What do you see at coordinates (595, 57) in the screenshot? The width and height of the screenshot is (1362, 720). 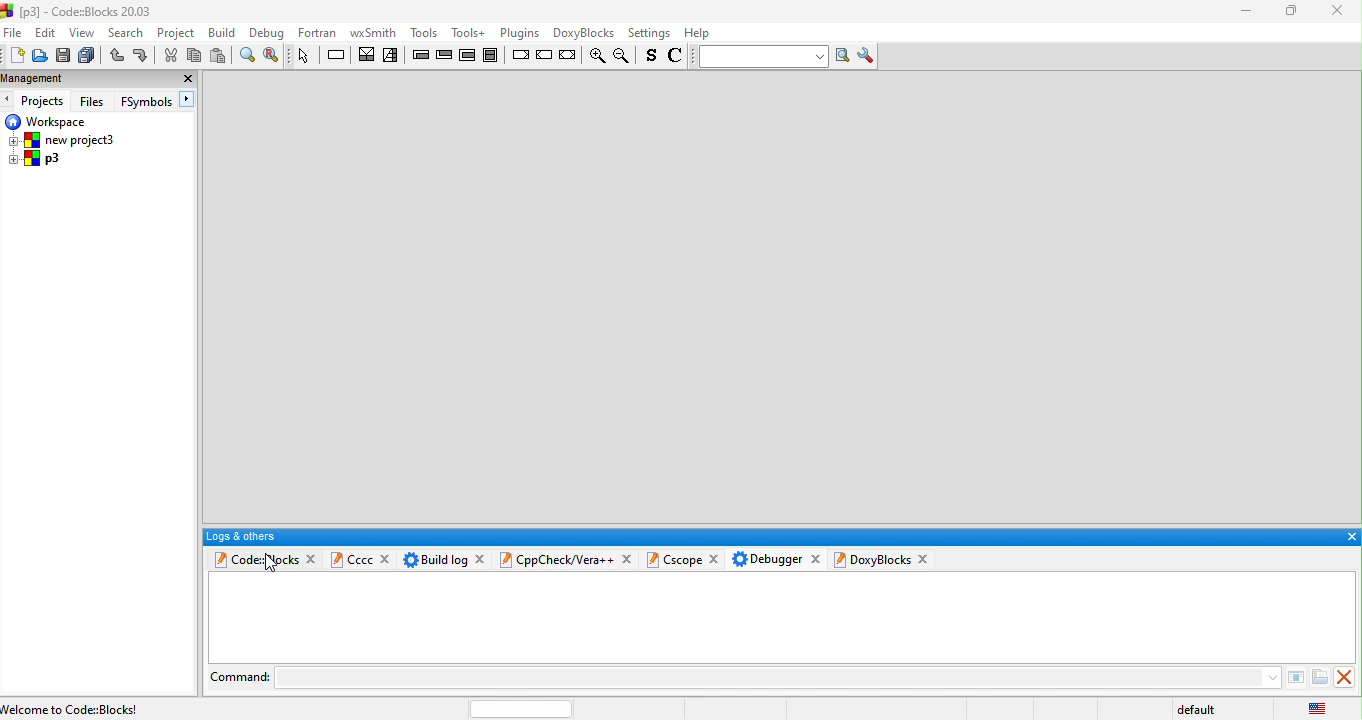 I see `zoom in` at bounding box center [595, 57].